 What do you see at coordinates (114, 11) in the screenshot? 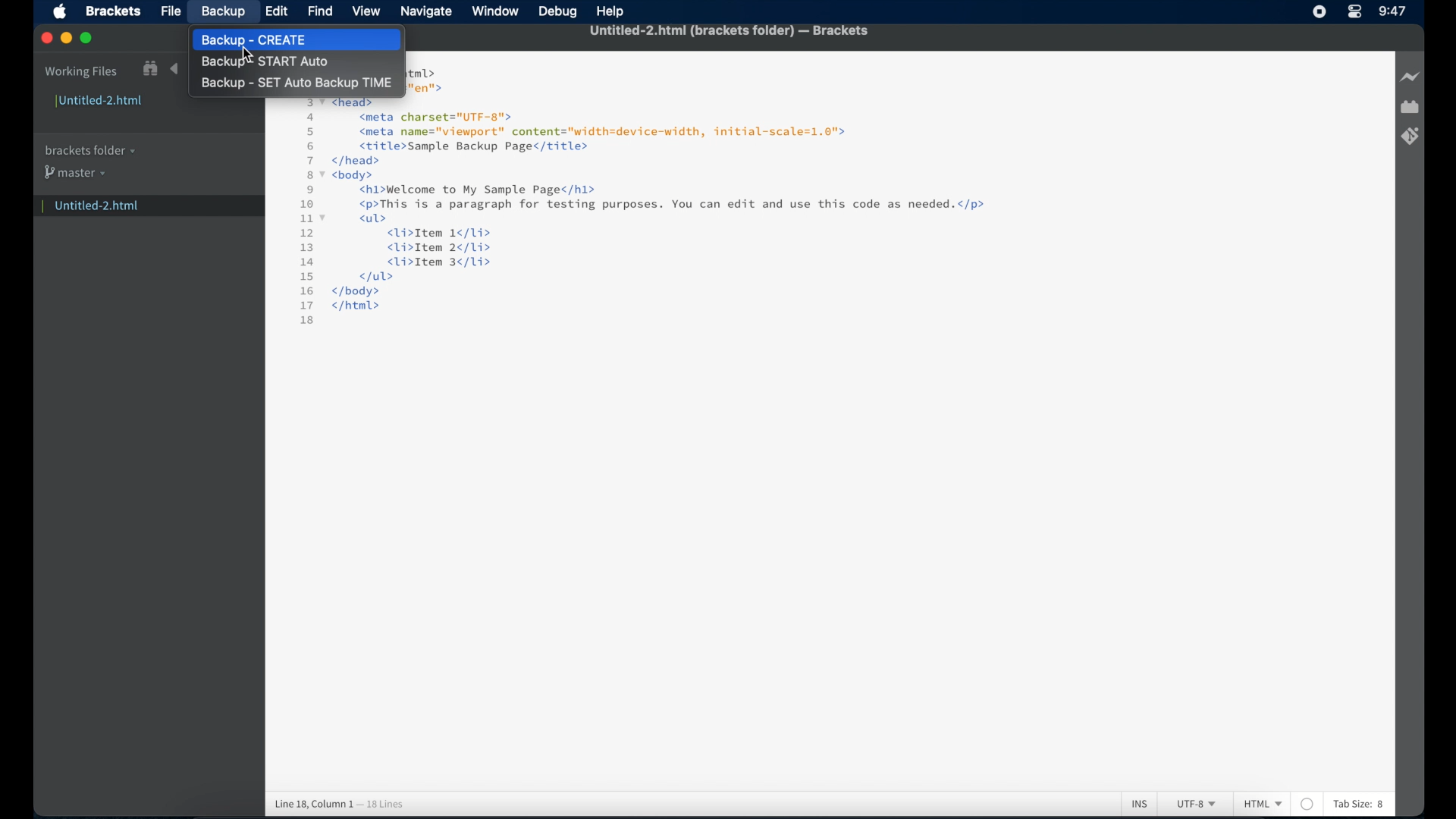
I see `brackets` at bounding box center [114, 11].